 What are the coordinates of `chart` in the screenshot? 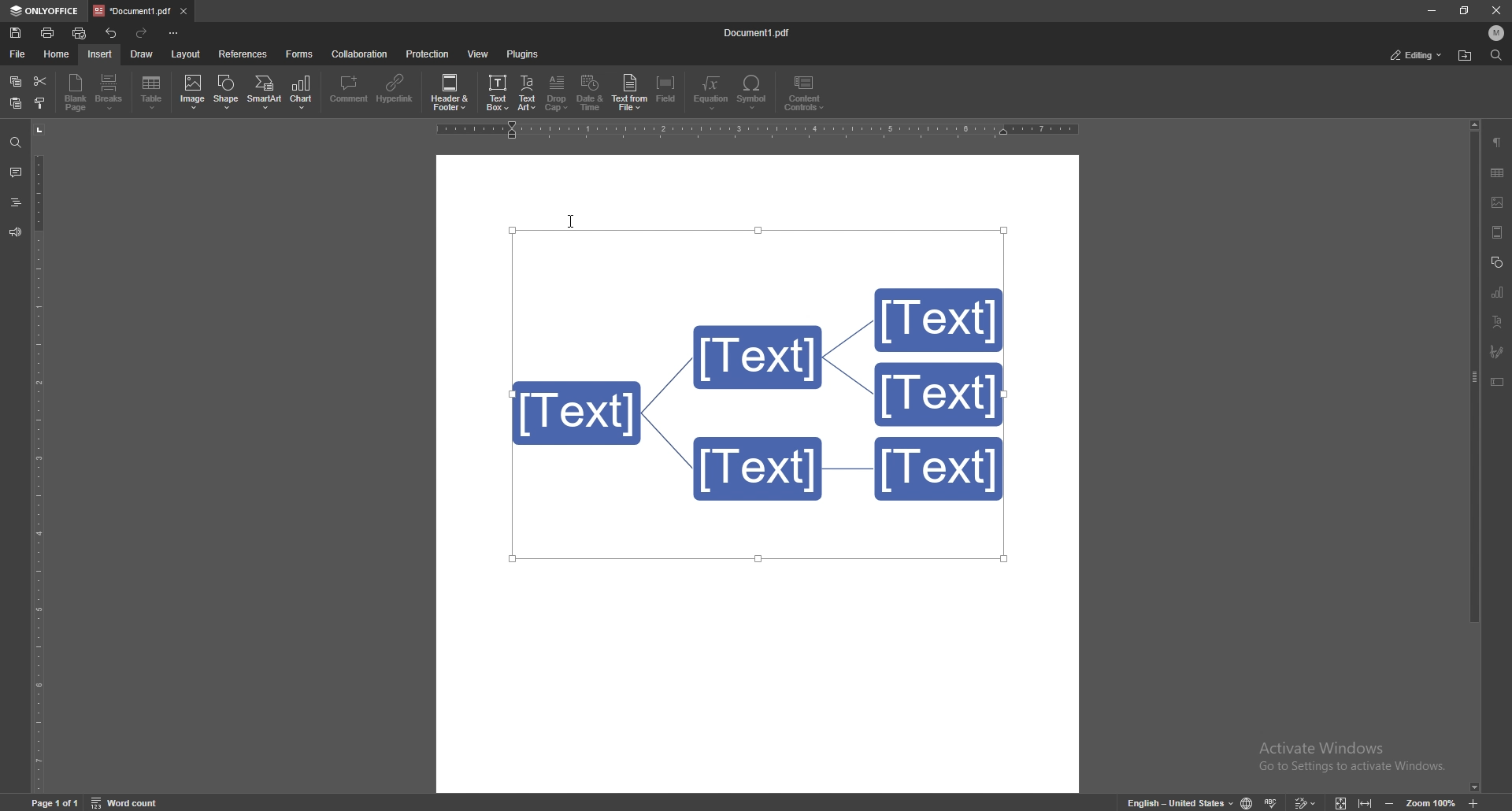 It's located at (1499, 291).